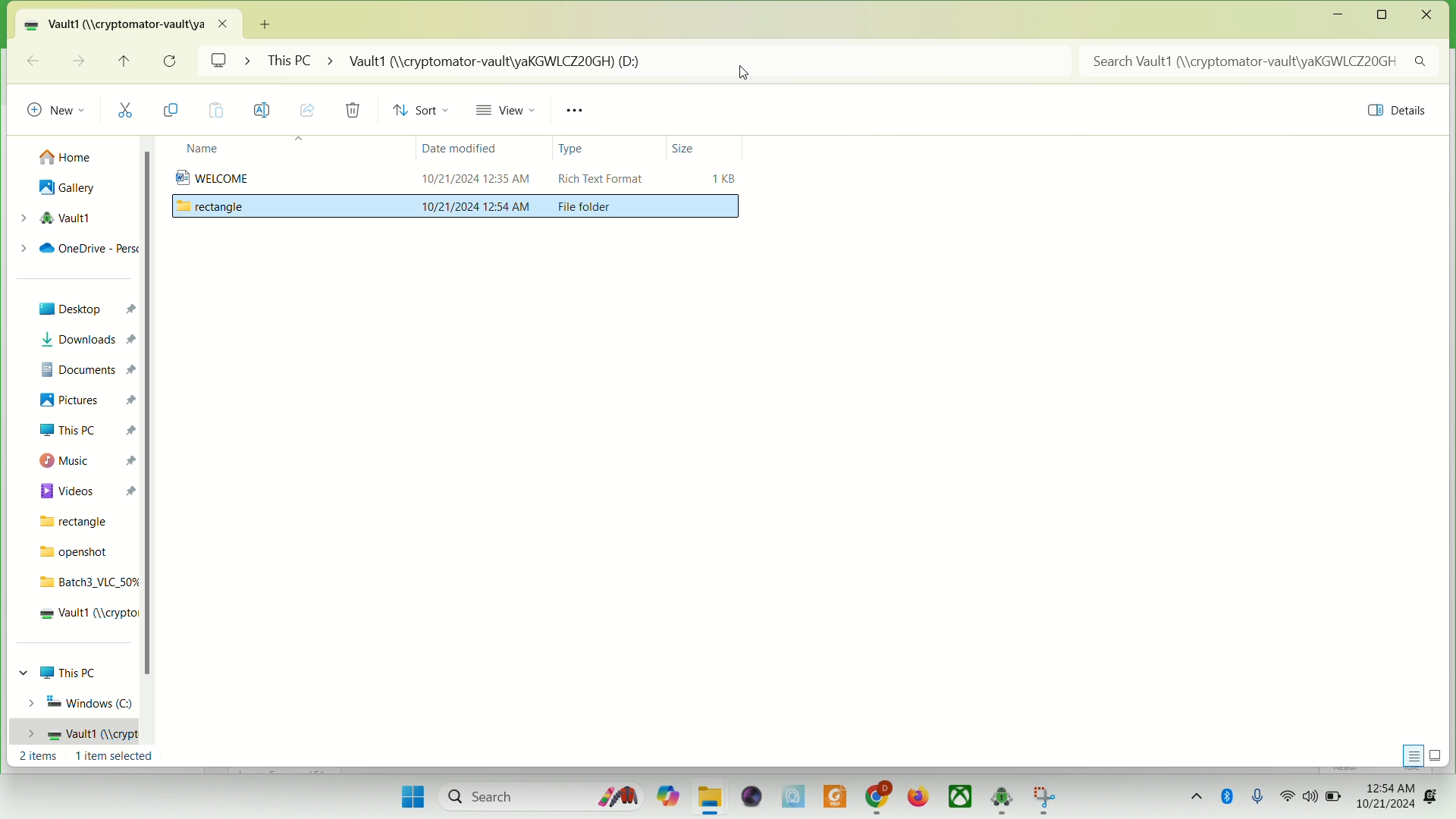 The image size is (1456, 819). What do you see at coordinates (425, 111) in the screenshot?
I see `sort` at bounding box center [425, 111].